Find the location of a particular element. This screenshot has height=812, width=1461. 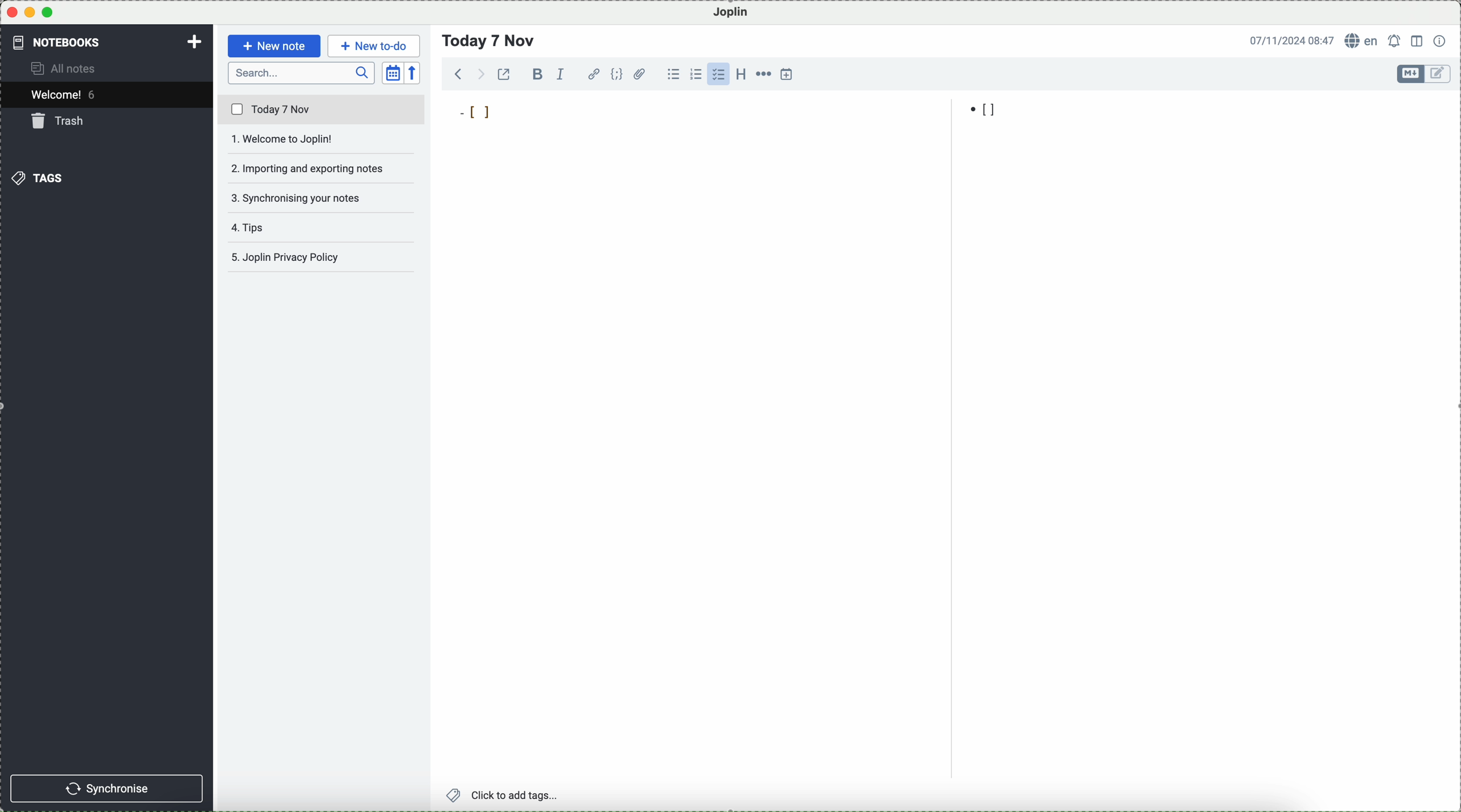

maximize is located at coordinates (48, 12).